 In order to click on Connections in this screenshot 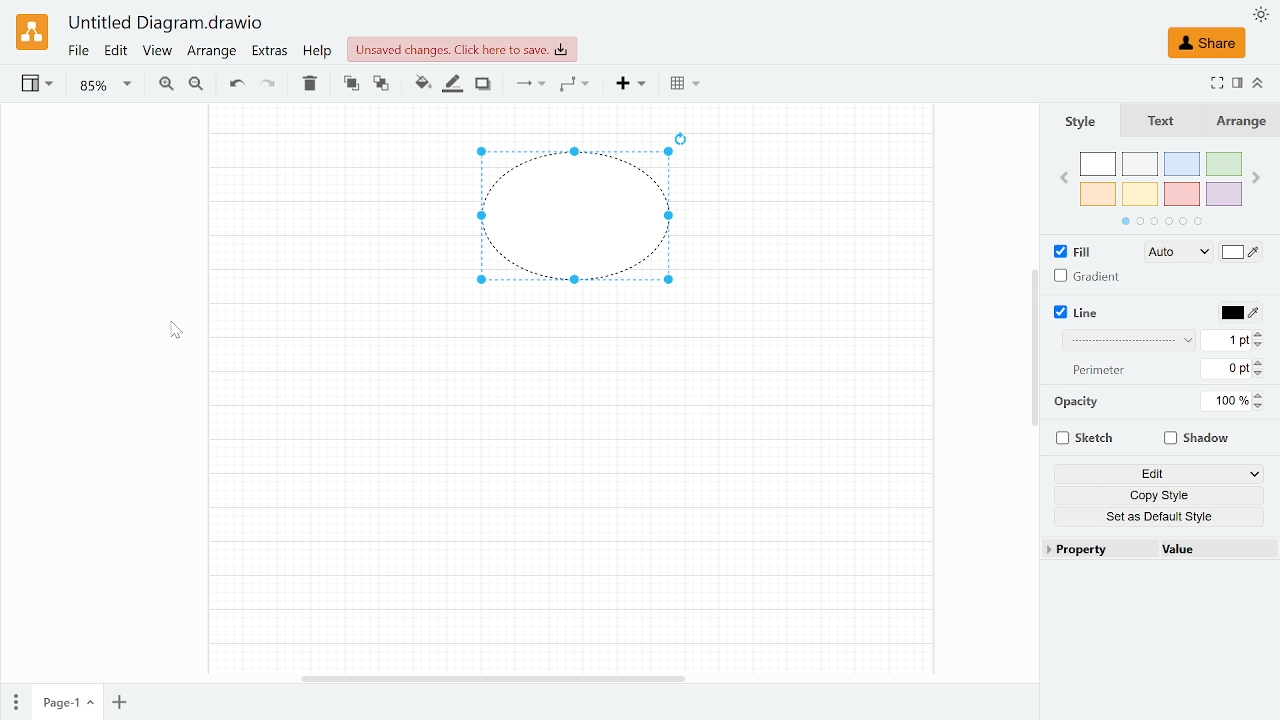, I will do `click(529, 85)`.